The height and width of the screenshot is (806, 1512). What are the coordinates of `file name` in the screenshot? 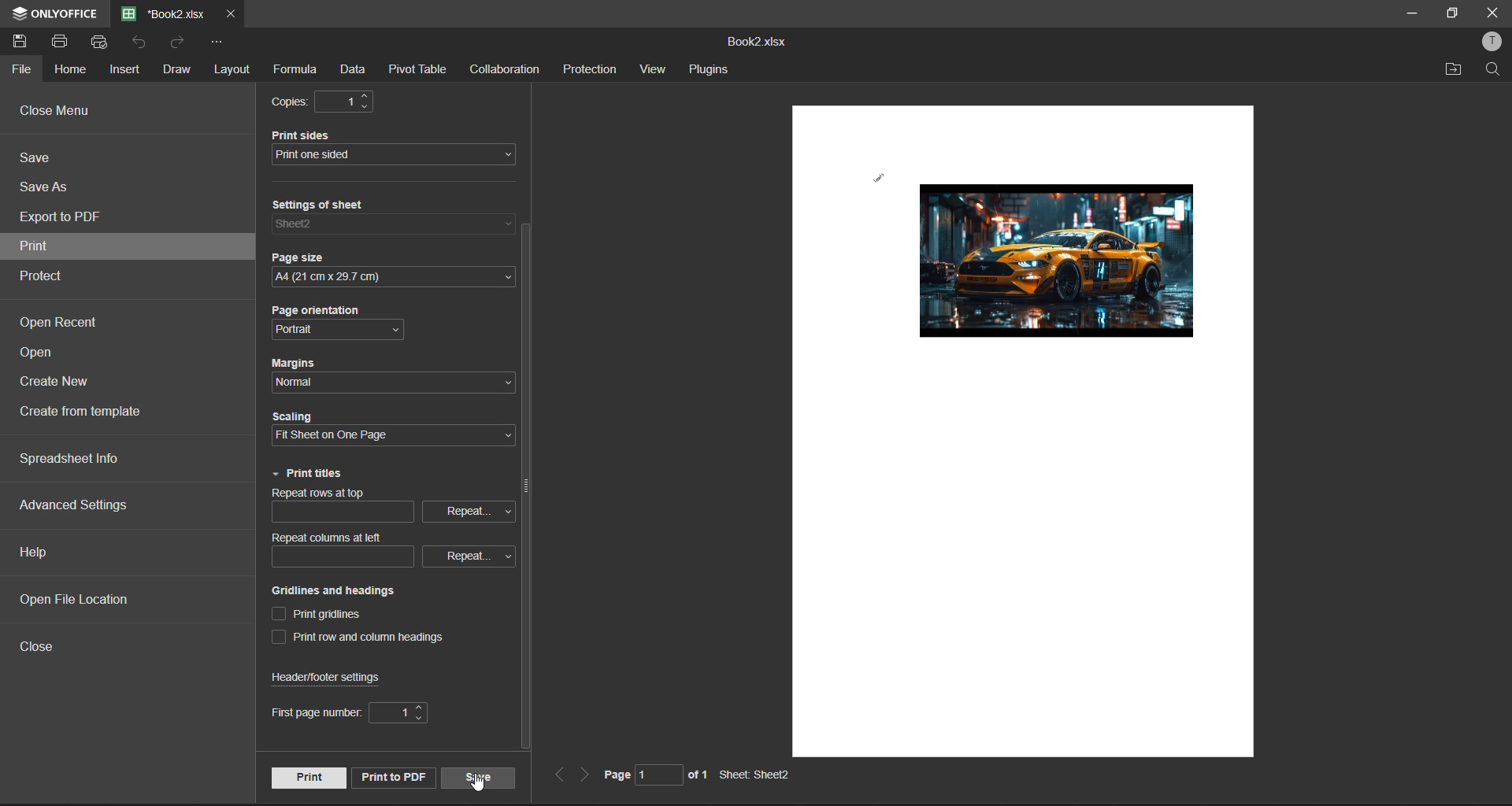 It's located at (164, 13).